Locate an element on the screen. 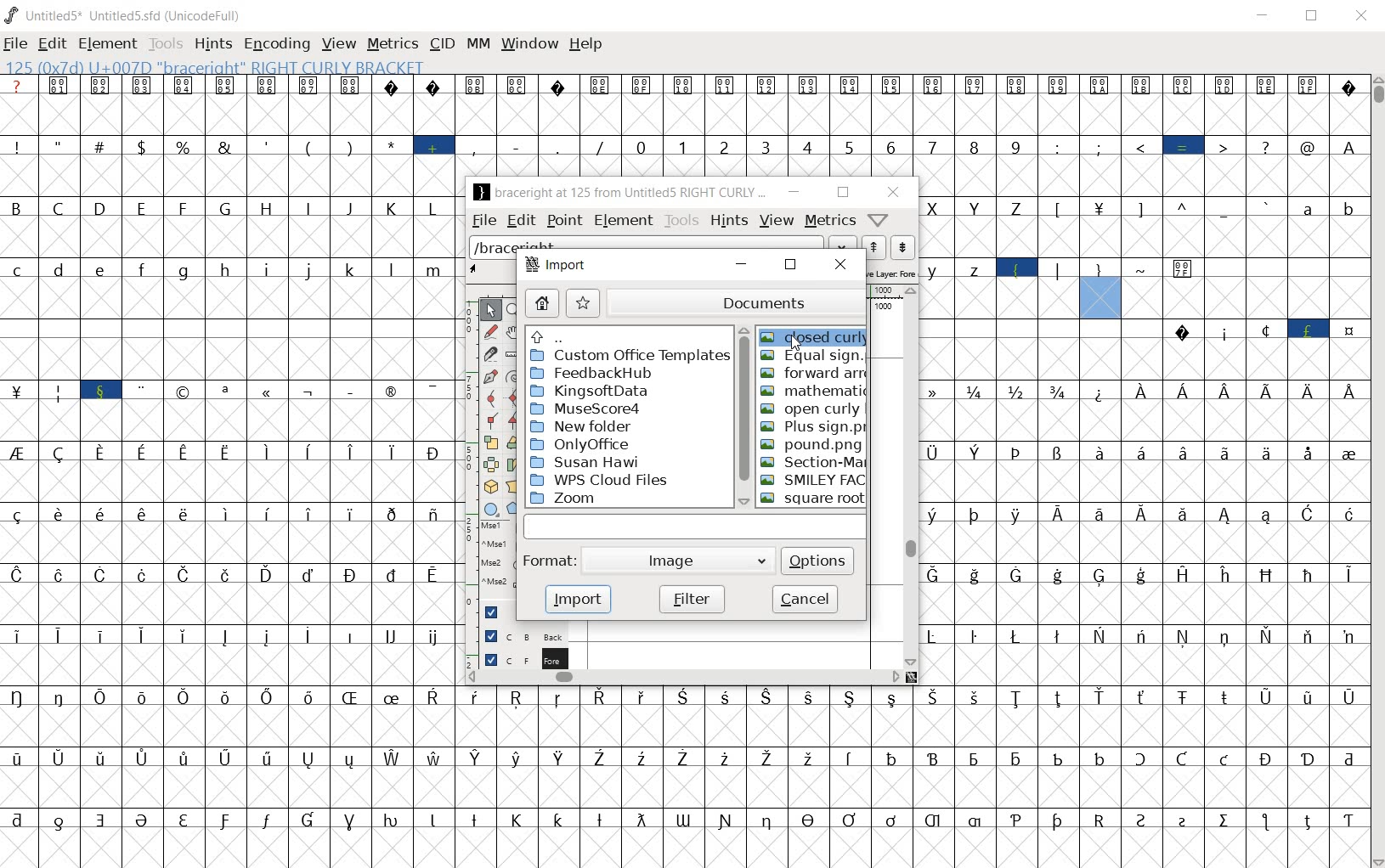 The height and width of the screenshot is (868, 1385). rectangle or ellipse is located at coordinates (488, 508).